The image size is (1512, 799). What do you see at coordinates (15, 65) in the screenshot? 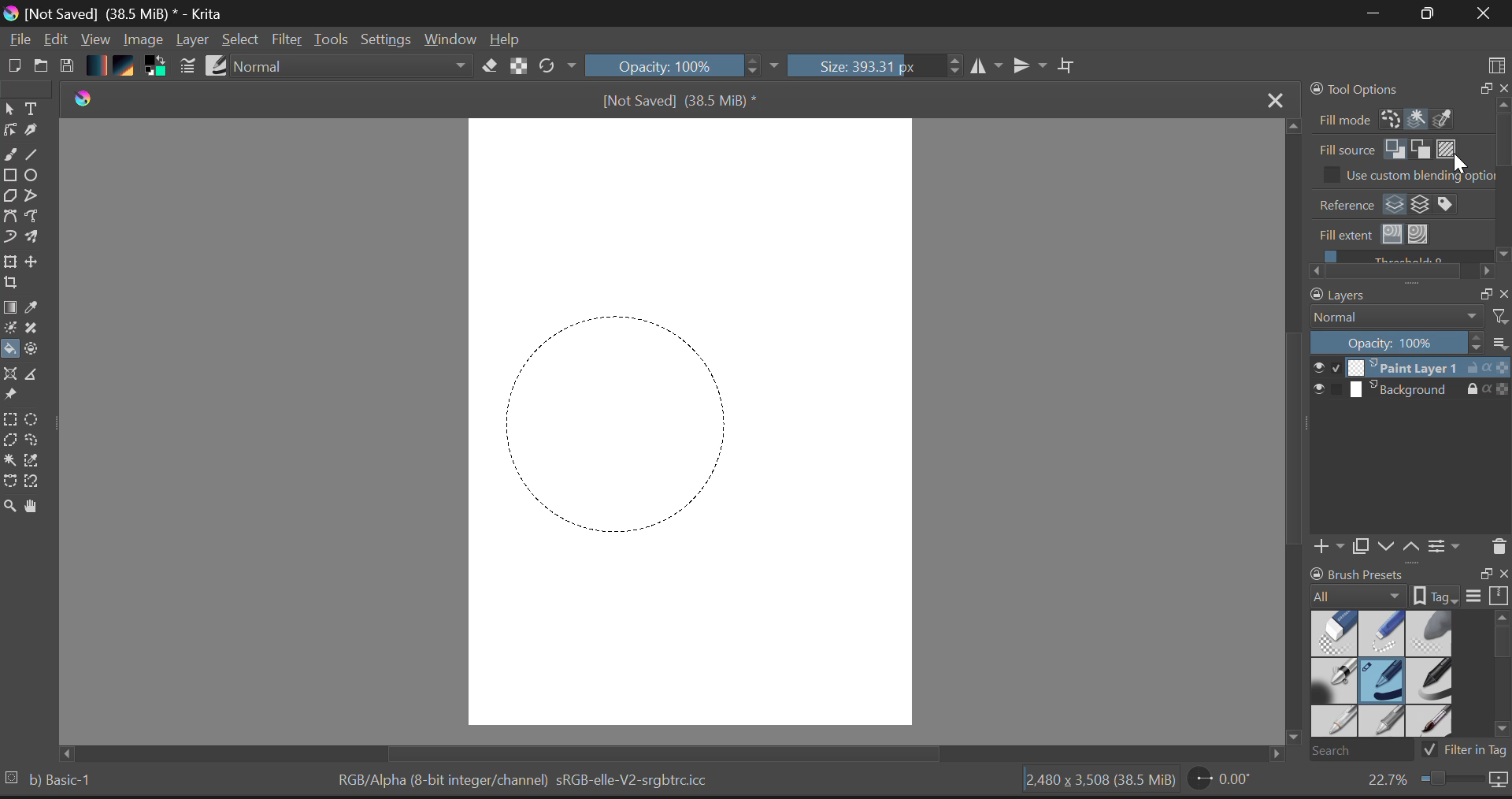
I see `New` at bounding box center [15, 65].